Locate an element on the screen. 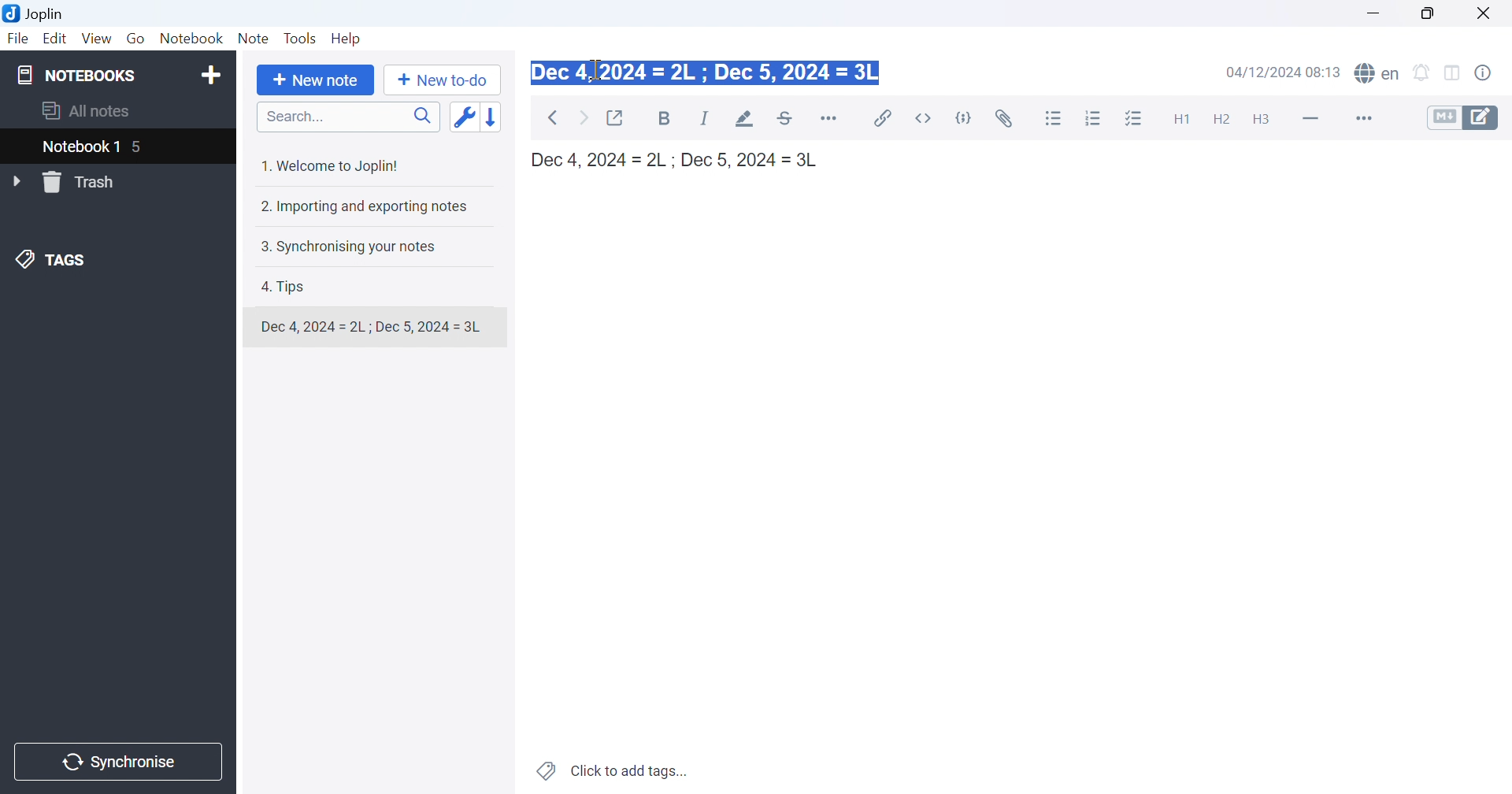 Image resolution: width=1512 pixels, height=794 pixels. Reverse sort order is located at coordinates (495, 114).